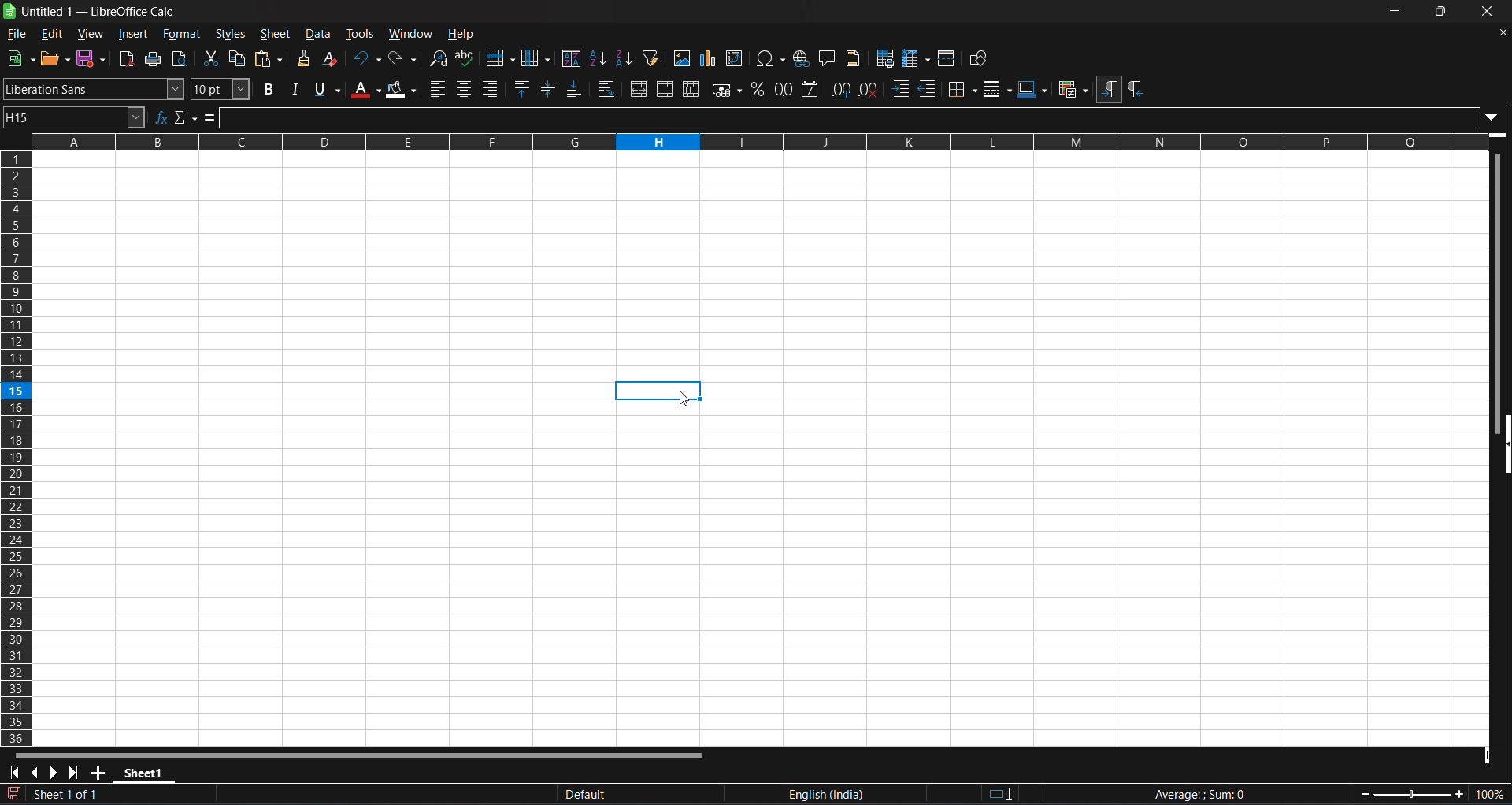 The image size is (1512, 805). Describe the element at coordinates (161, 117) in the screenshot. I see `function wizard` at that location.